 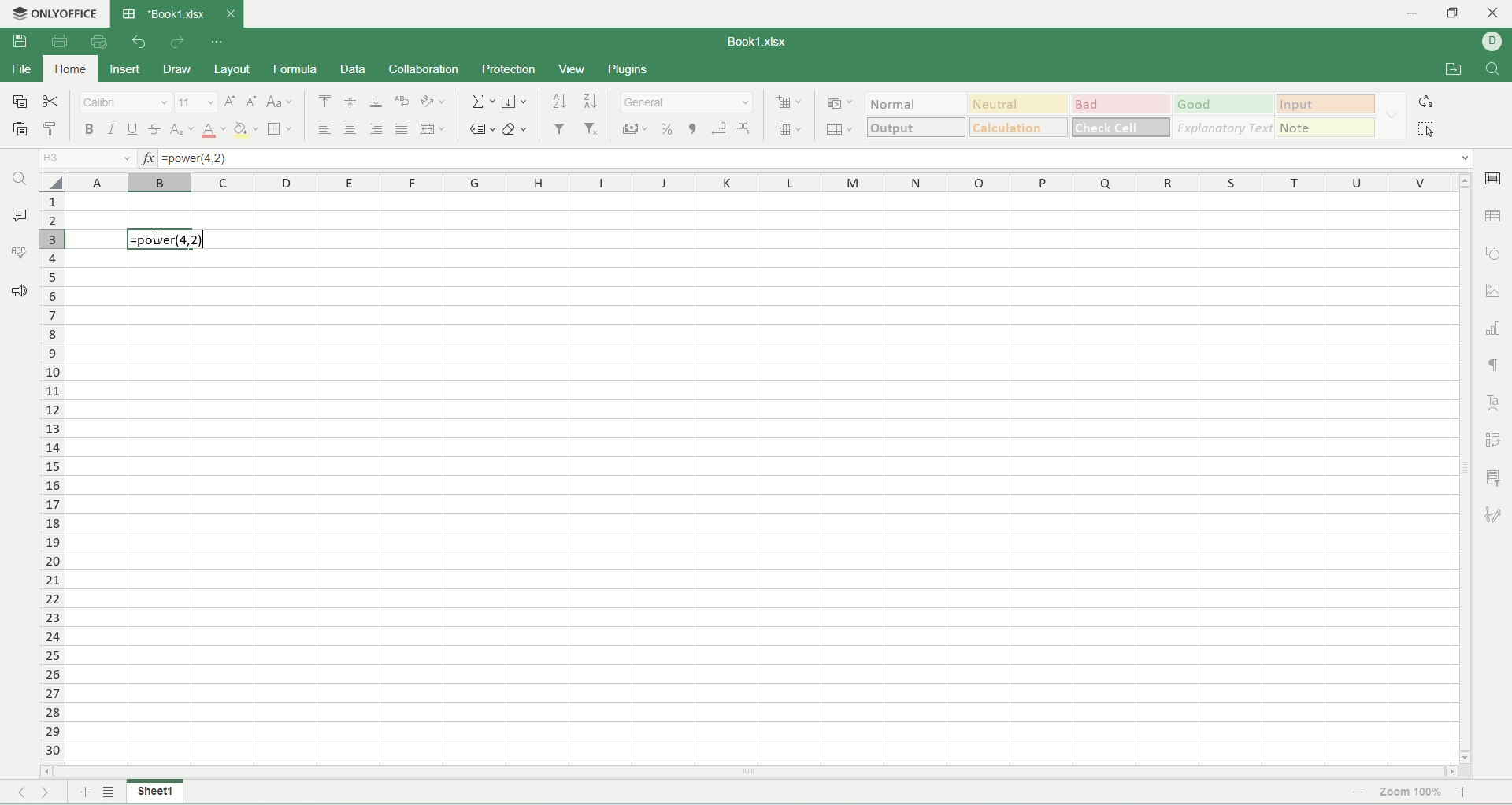 What do you see at coordinates (53, 477) in the screenshot?
I see `row number` at bounding box center [53, 477].